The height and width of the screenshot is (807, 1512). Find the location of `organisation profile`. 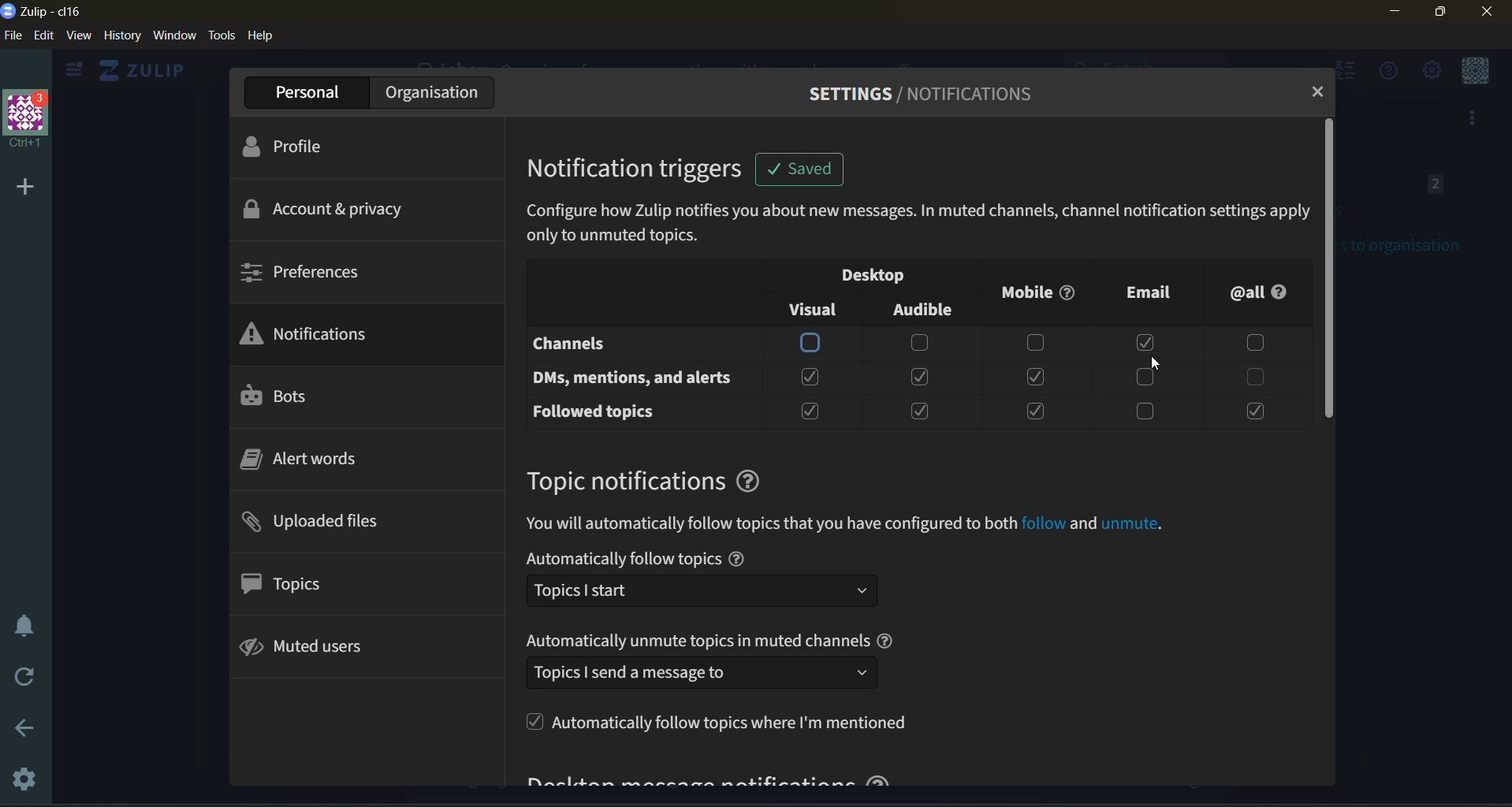

organisation profile is located at coordinates (24, 119).